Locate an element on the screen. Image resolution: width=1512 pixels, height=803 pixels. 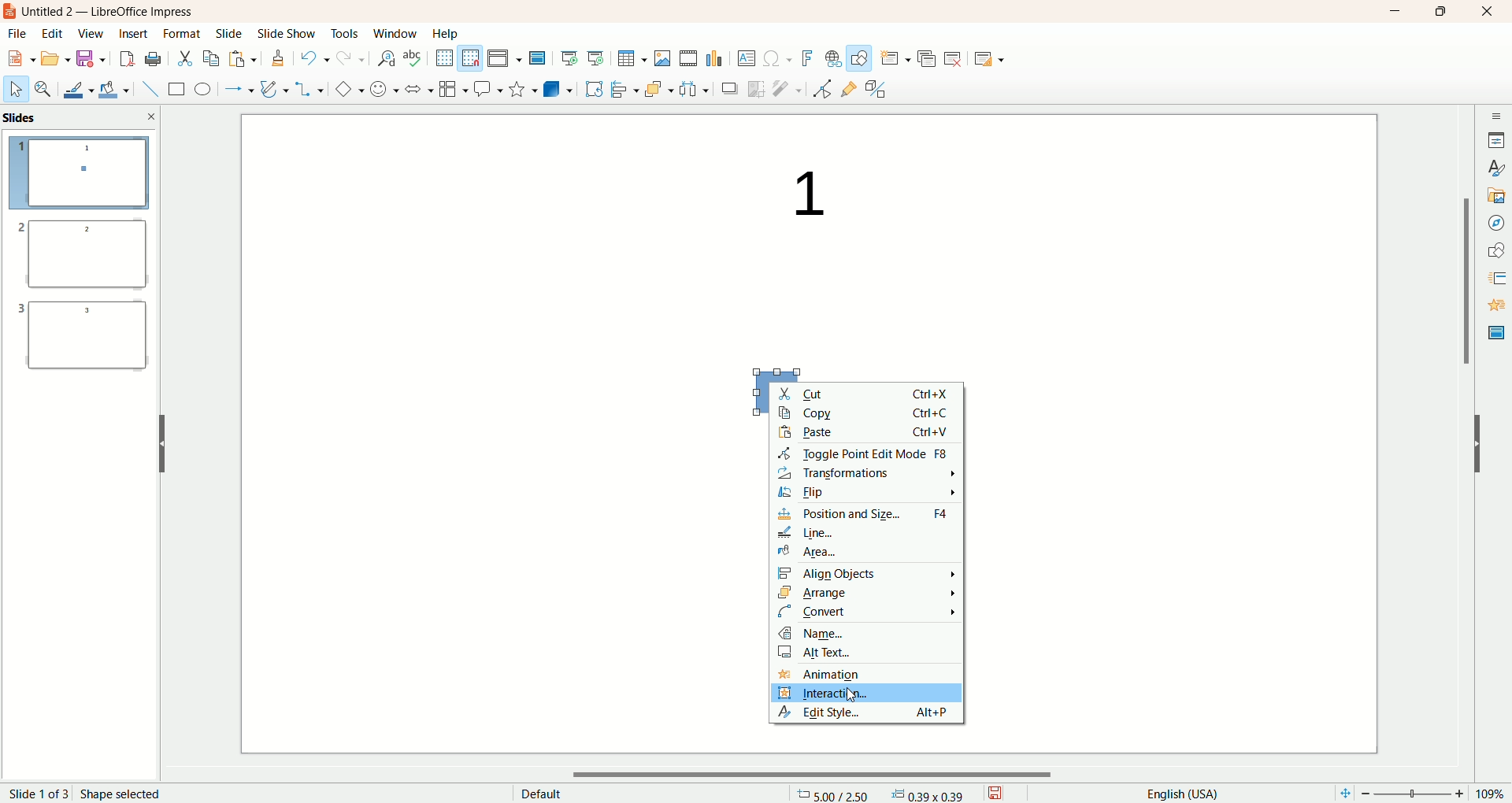
tools is located at coordinates (346, 37).